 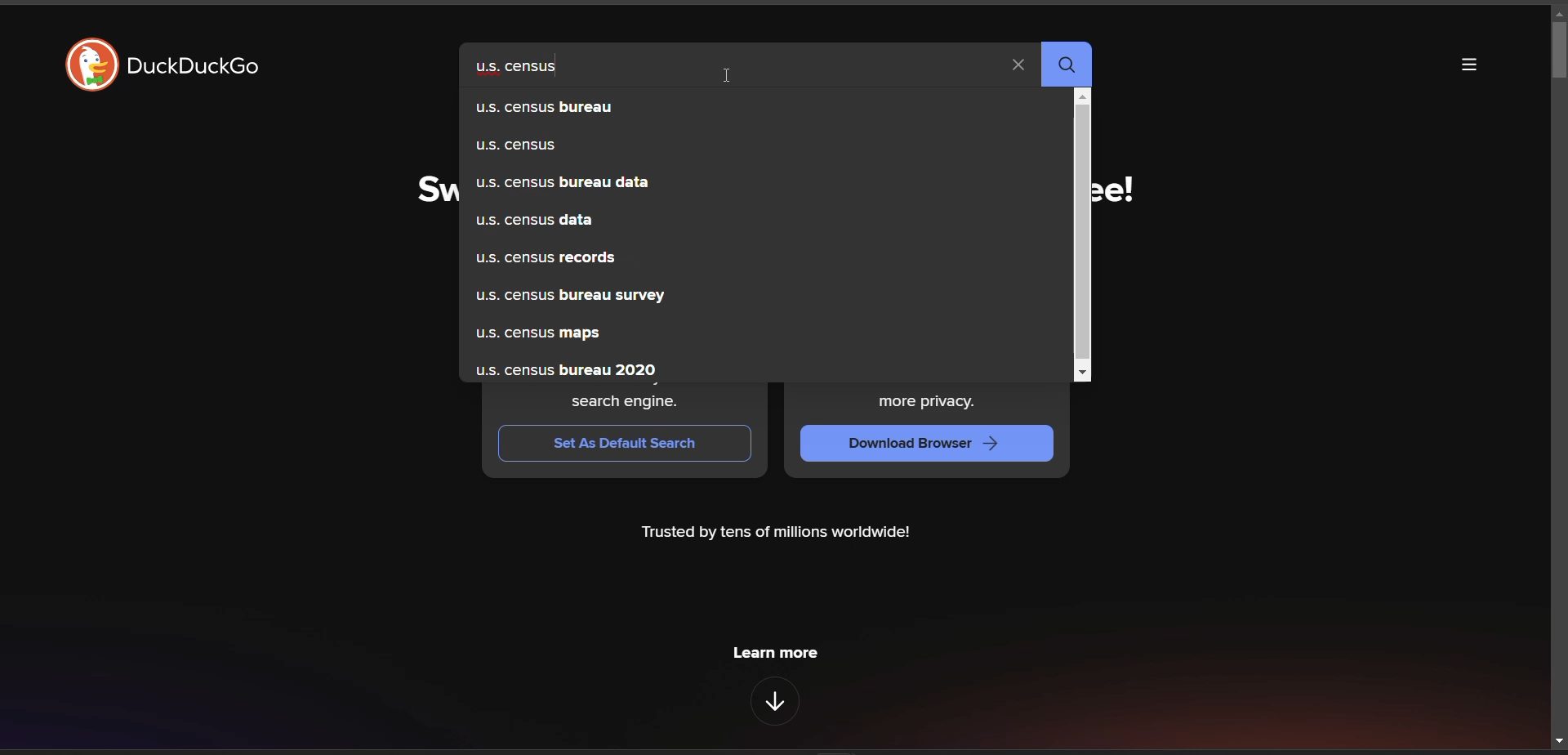 I want to click on clear text, so click(x=1020, y=66).